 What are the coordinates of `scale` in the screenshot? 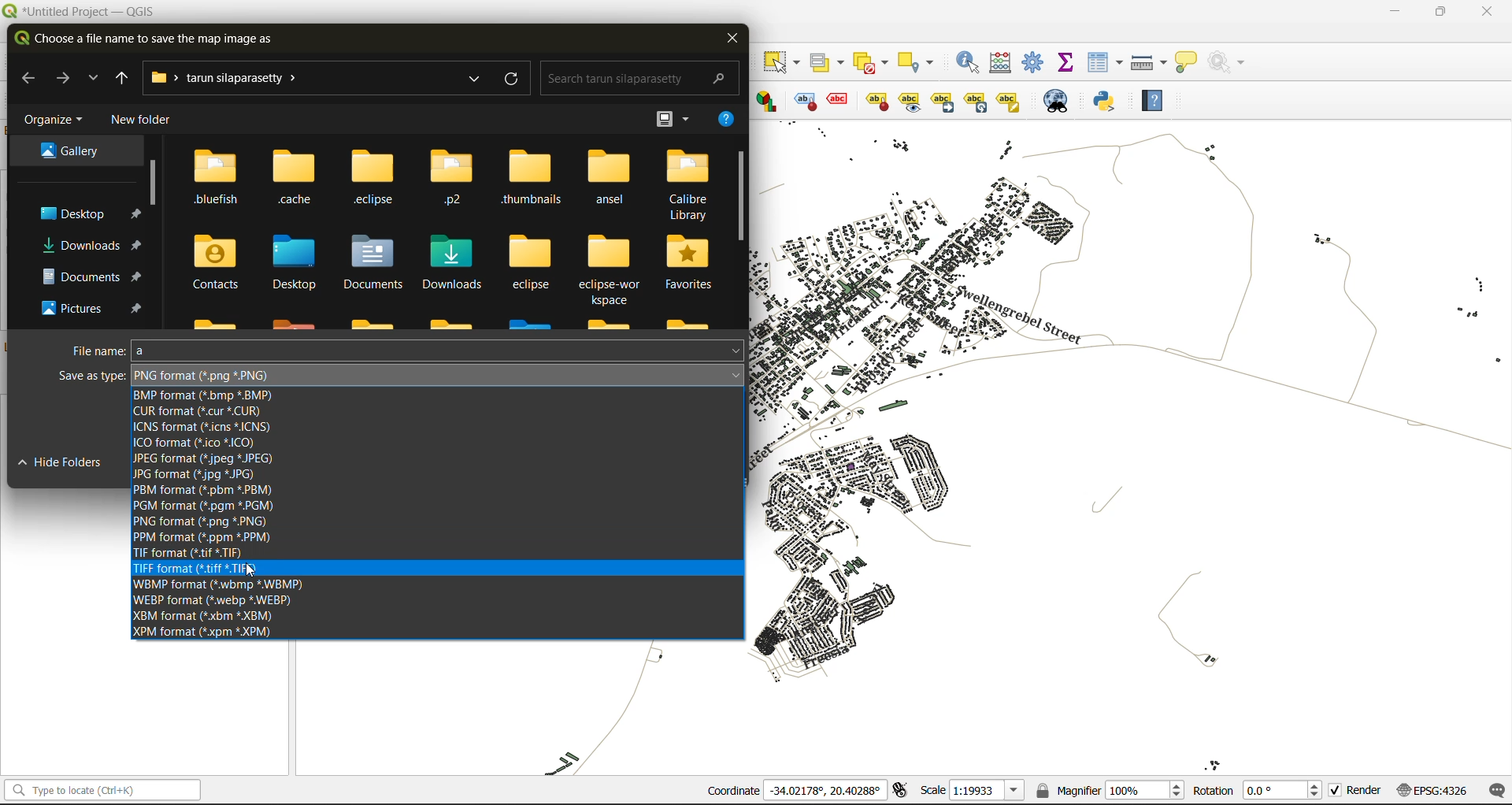 It's located at (968, 791).